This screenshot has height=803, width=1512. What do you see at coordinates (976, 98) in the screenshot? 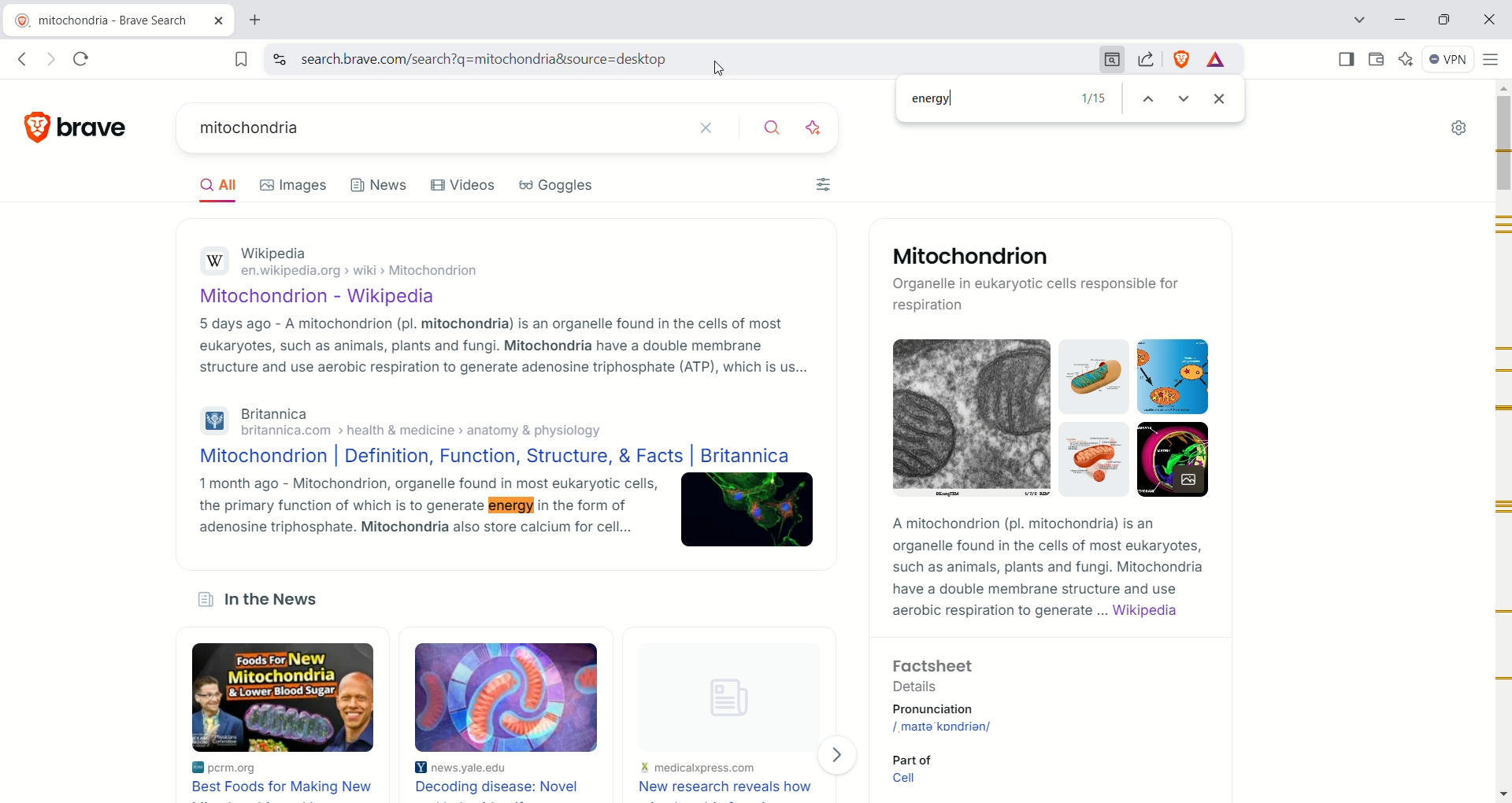
I see `energy` at bounding box center [976, 98].